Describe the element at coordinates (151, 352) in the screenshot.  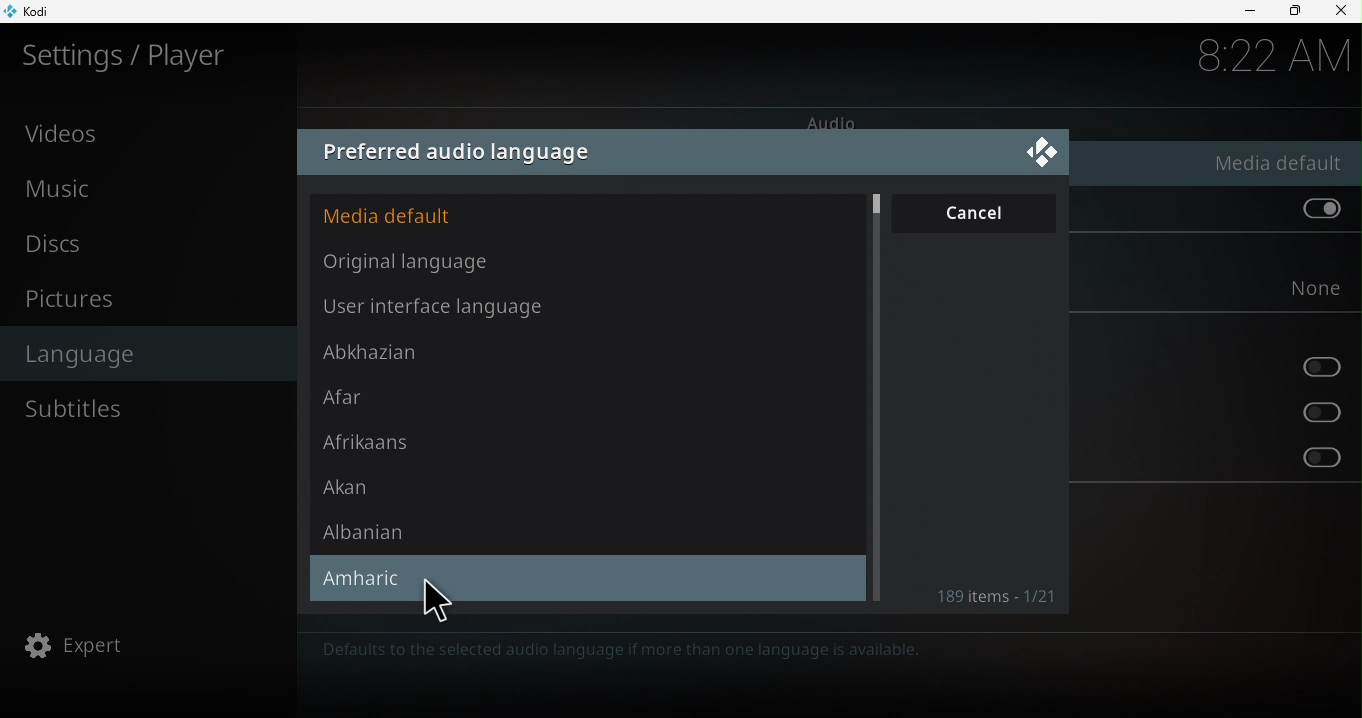
I see `Language` at that location.